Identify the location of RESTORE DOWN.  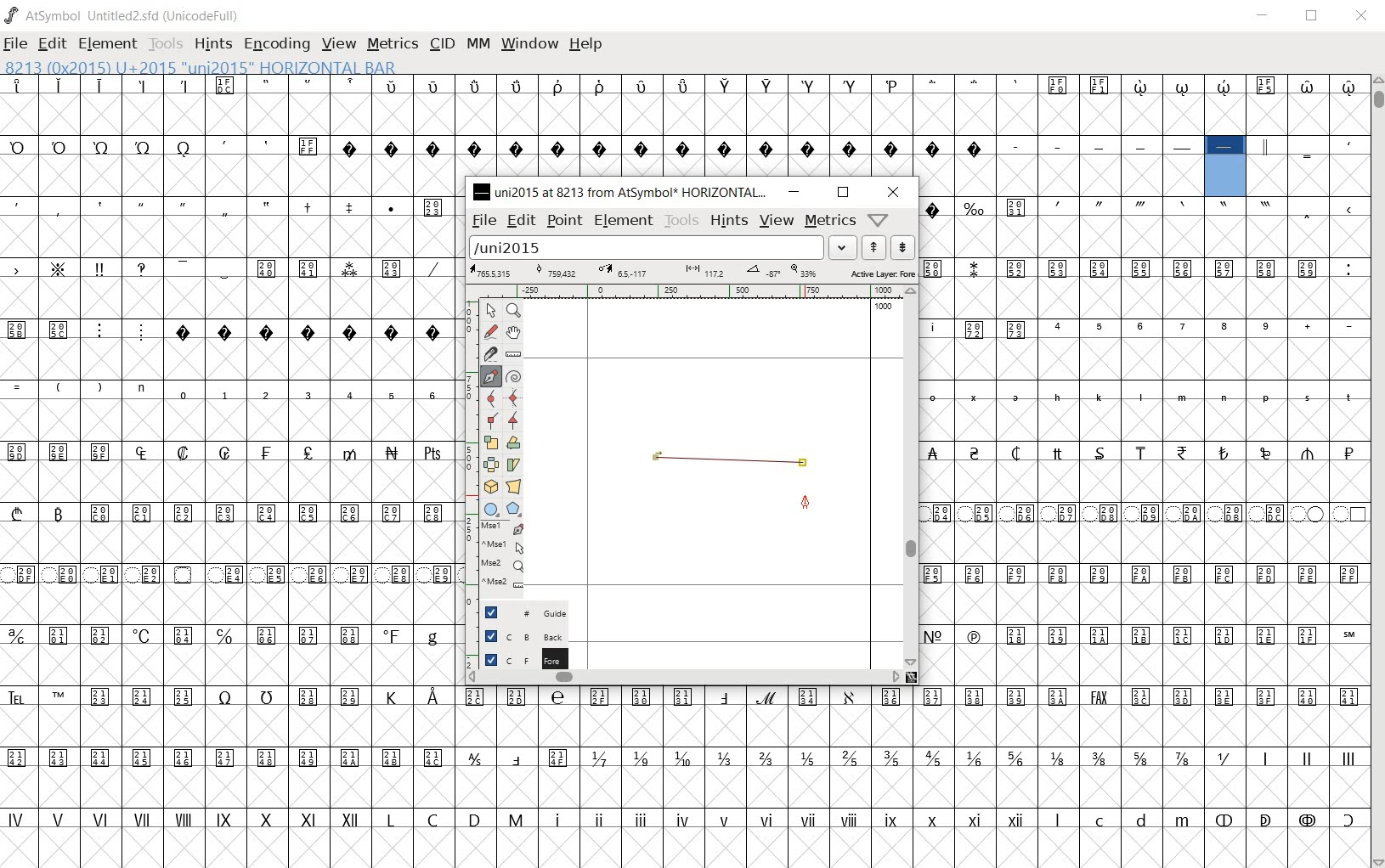
(1314, 17).